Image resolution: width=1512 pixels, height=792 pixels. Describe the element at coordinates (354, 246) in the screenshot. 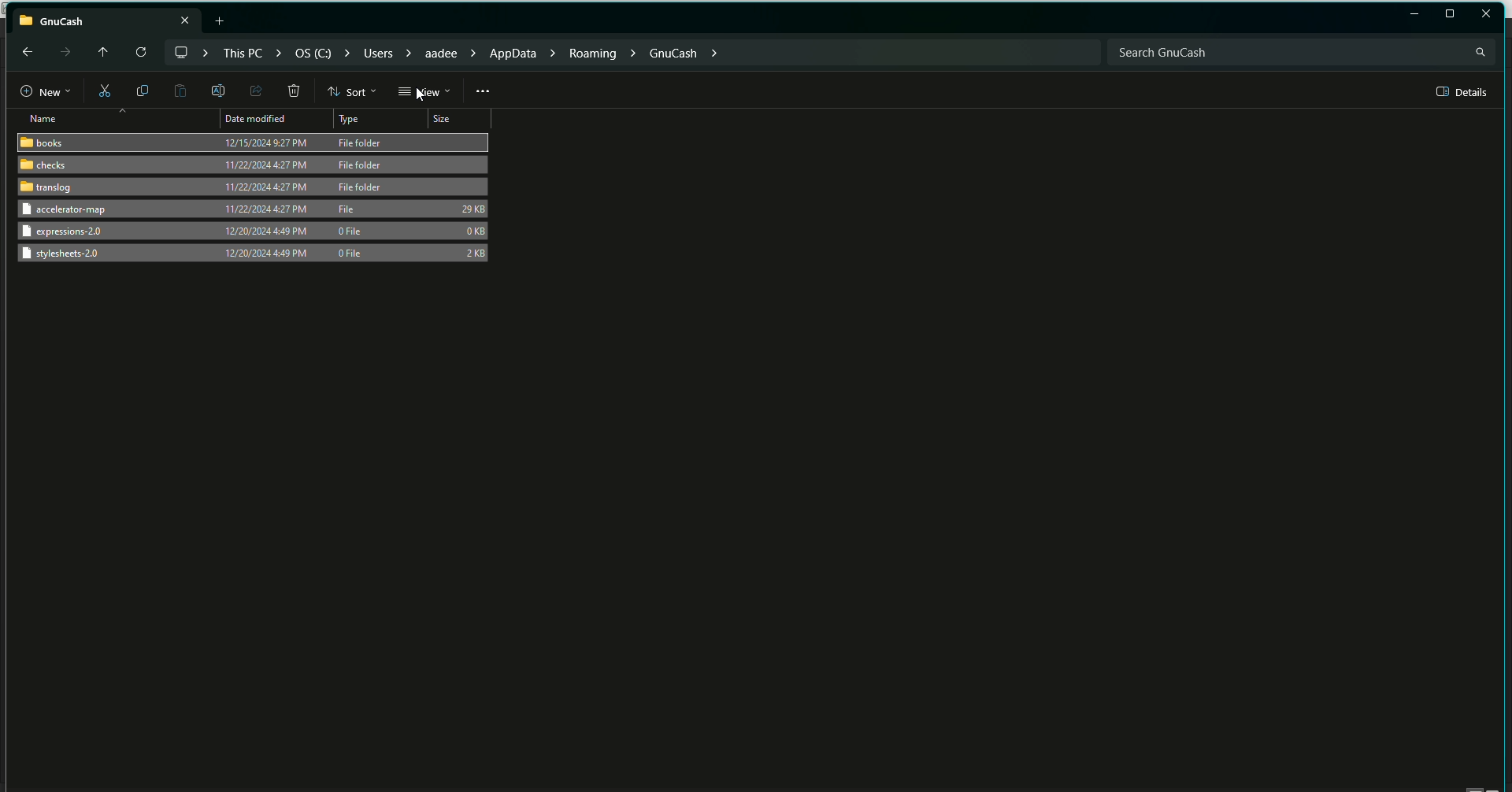

I see `0File` at that location.